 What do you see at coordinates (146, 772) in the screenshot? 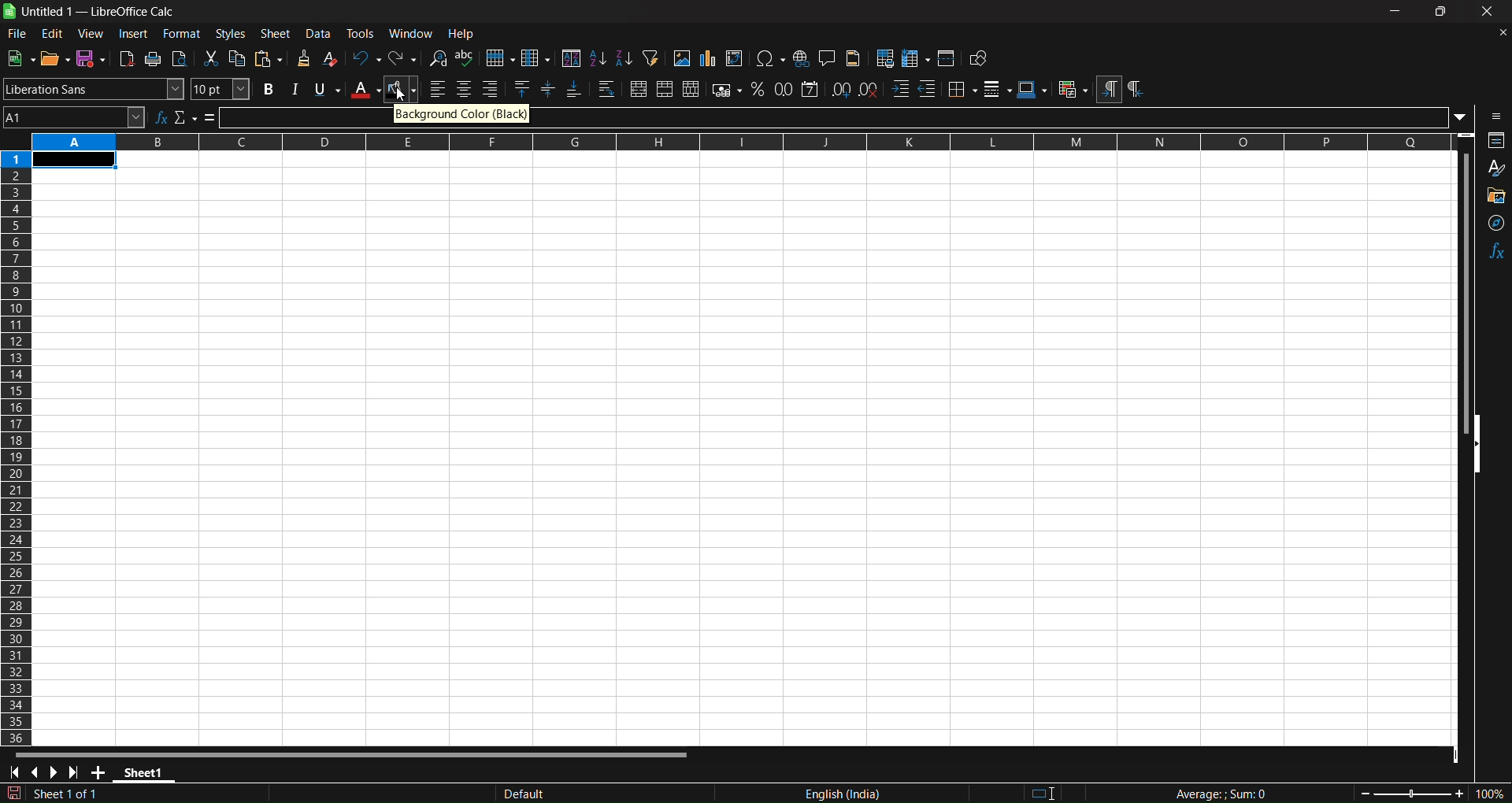
I see `sheet 1` at bounding box center [146, 772].